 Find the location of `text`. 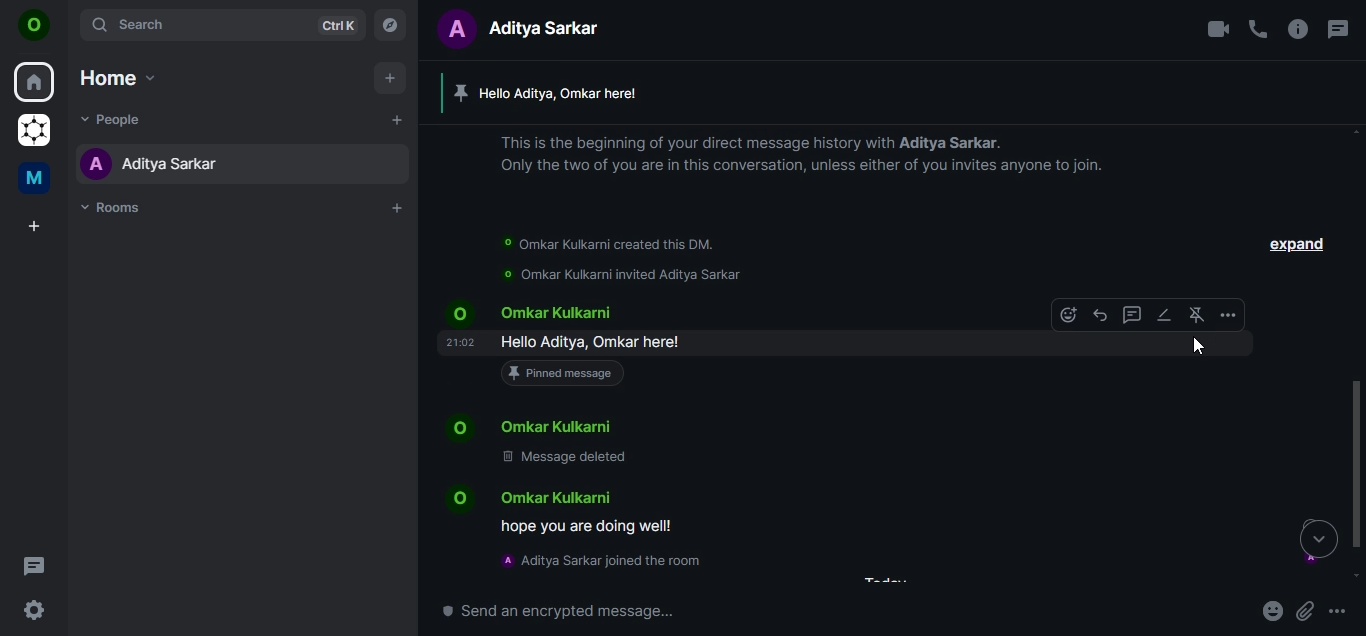

text is located at coordinates (572, 433).